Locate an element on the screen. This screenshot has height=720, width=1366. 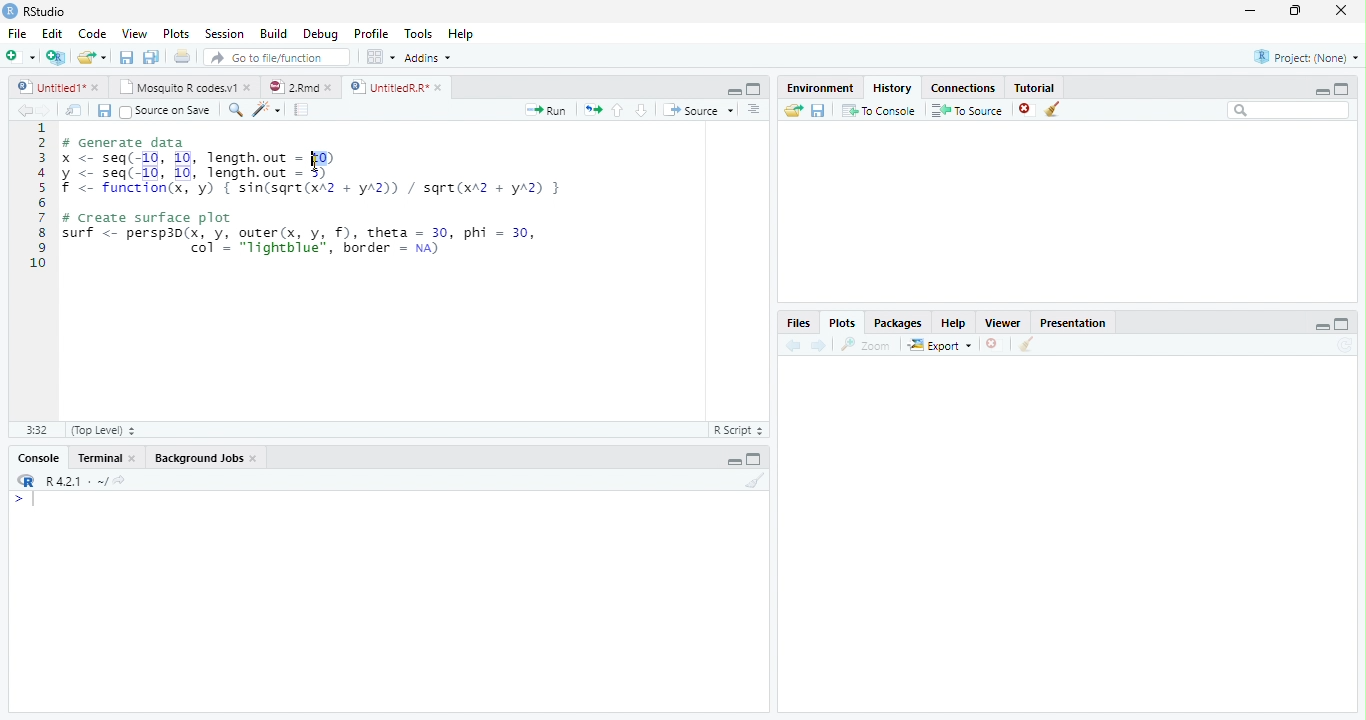
Remove current plot is located at coordinates (996, 344).